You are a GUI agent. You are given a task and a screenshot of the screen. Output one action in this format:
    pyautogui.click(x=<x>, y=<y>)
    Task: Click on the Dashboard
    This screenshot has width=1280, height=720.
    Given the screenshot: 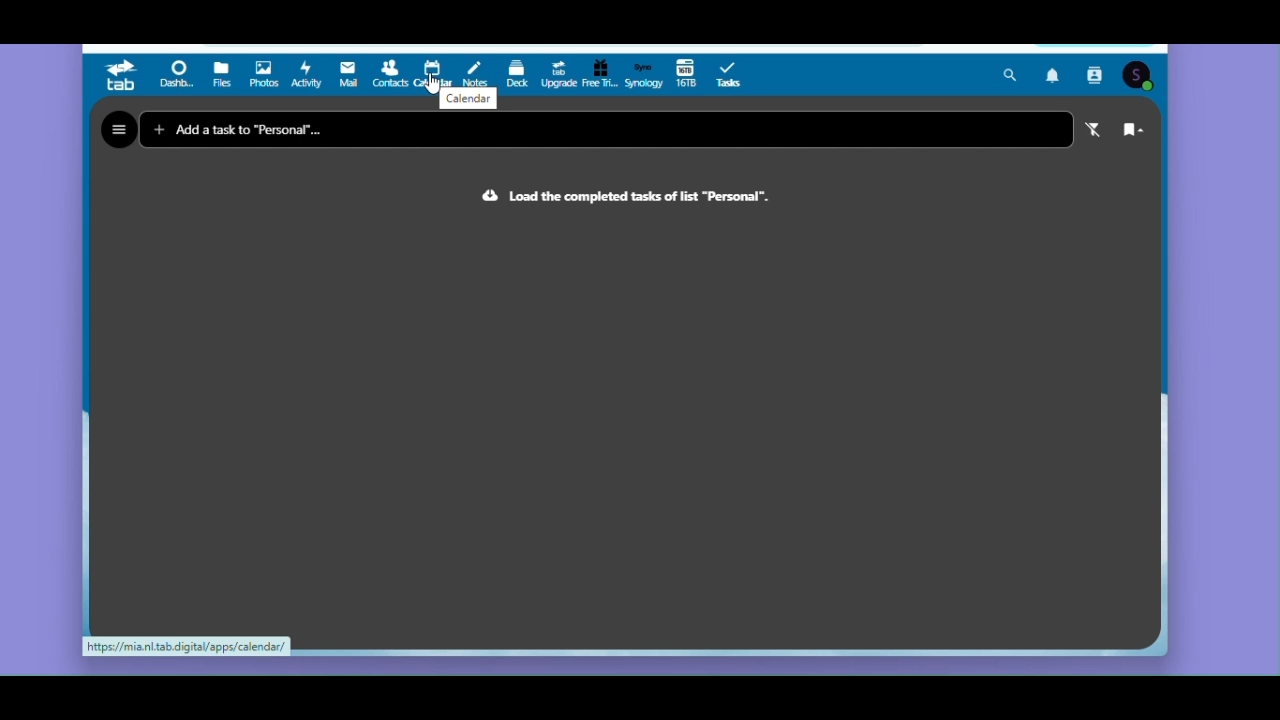 What is the action you would take?
    pyautogui.click(x=179, y=76)
    